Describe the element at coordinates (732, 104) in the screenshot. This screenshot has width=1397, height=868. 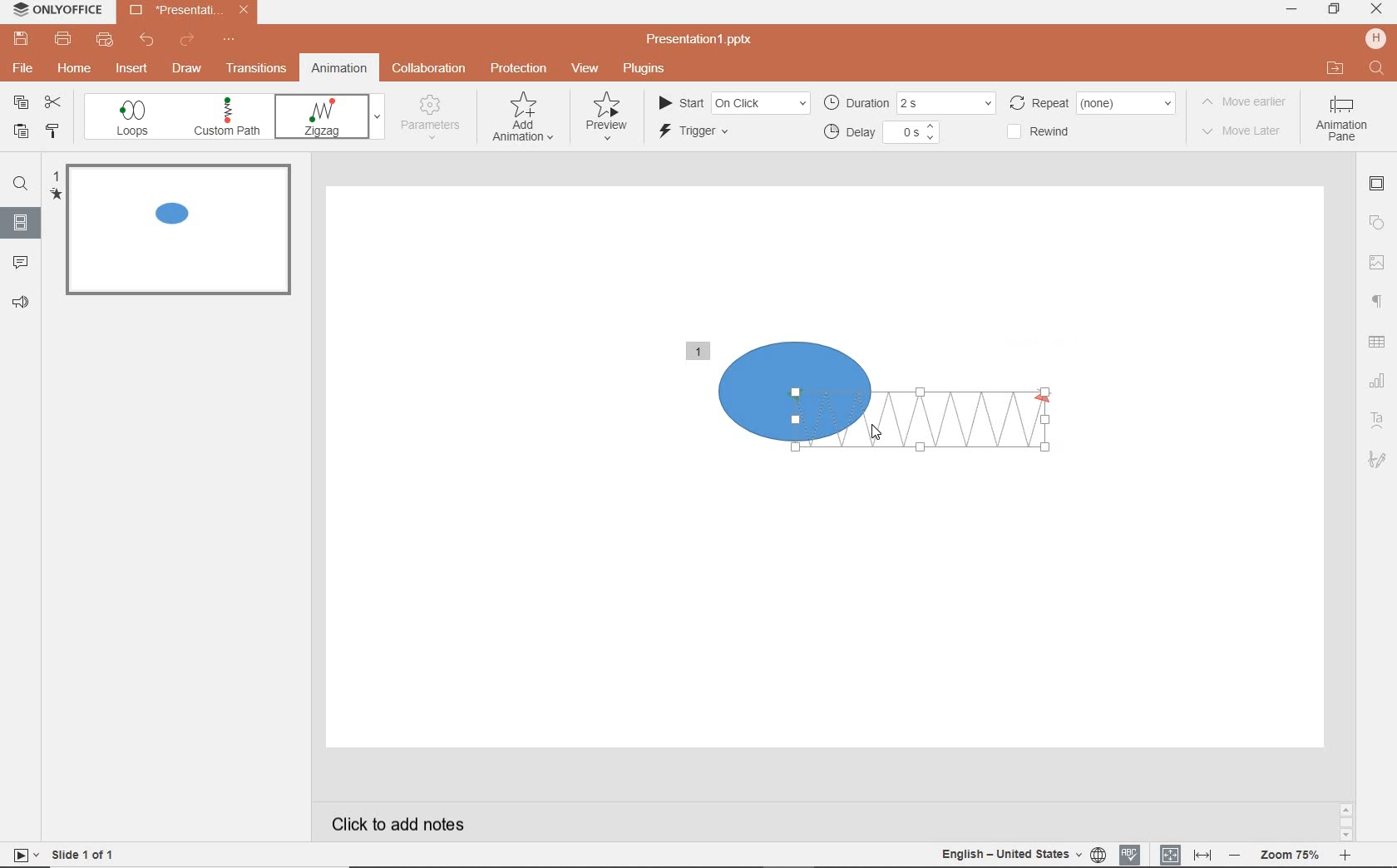
I see `start` at that location.